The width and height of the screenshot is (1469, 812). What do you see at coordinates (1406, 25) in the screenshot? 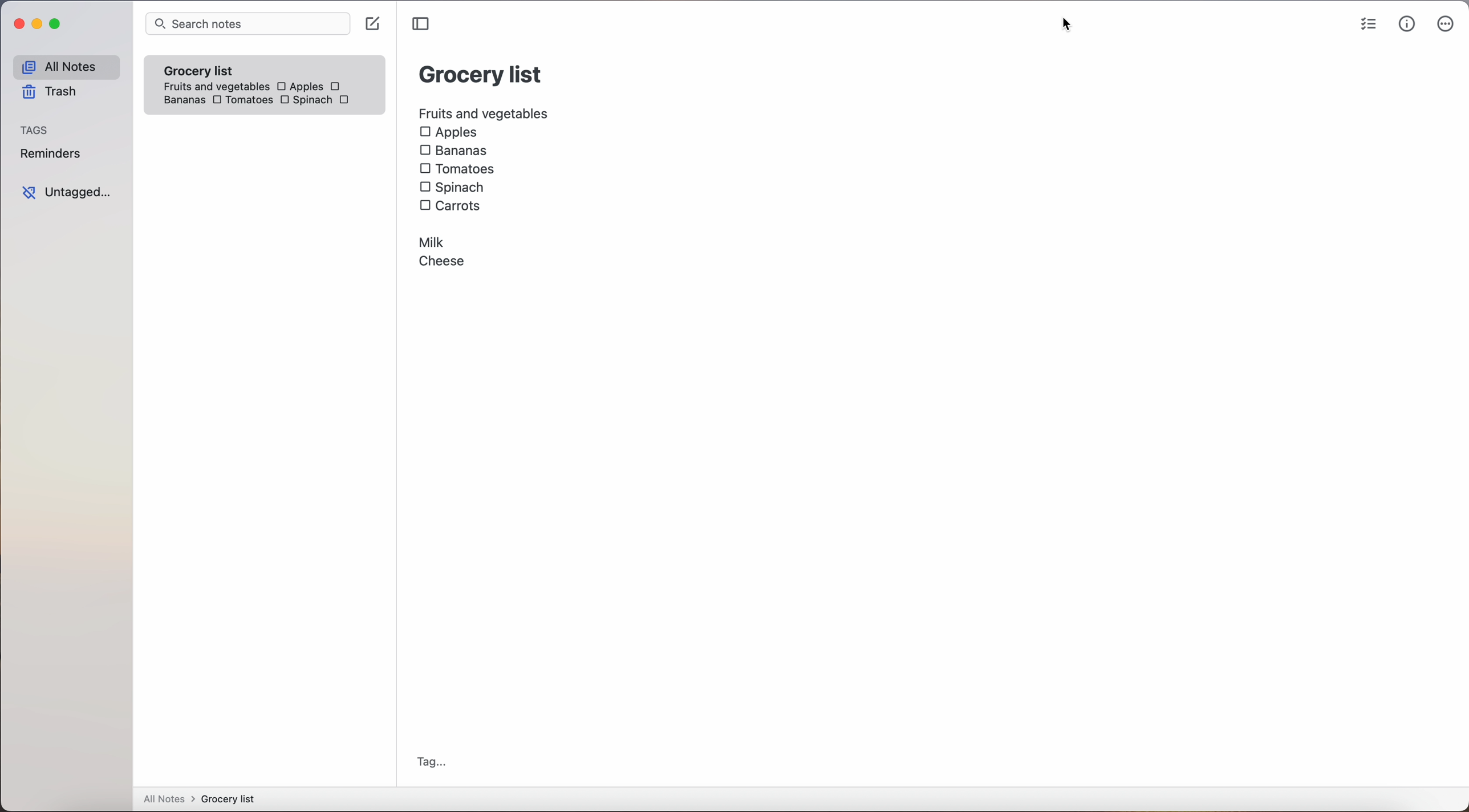
I see `metrics` at bounding box center [1406, 25].